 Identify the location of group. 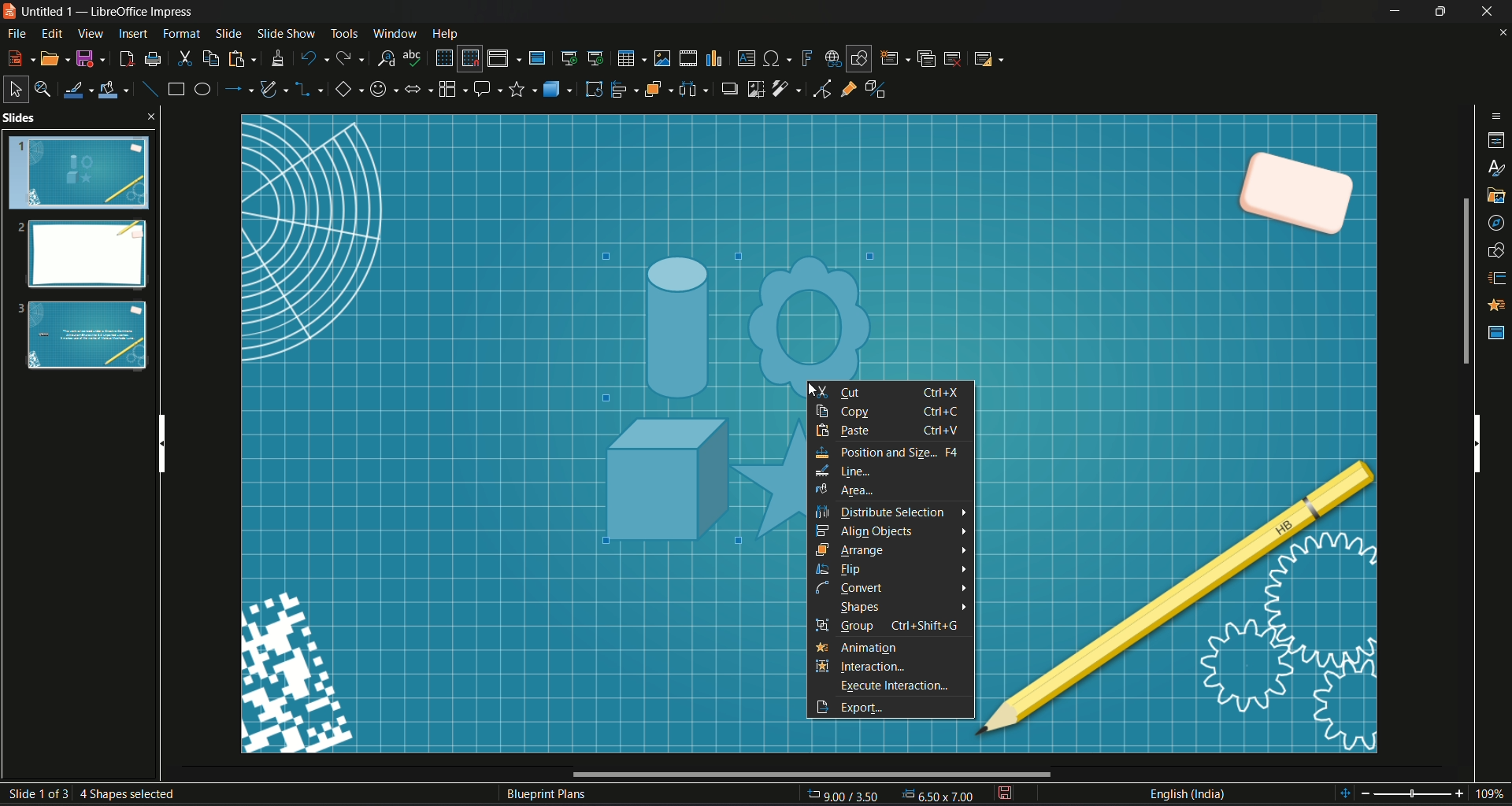
(897, 625).